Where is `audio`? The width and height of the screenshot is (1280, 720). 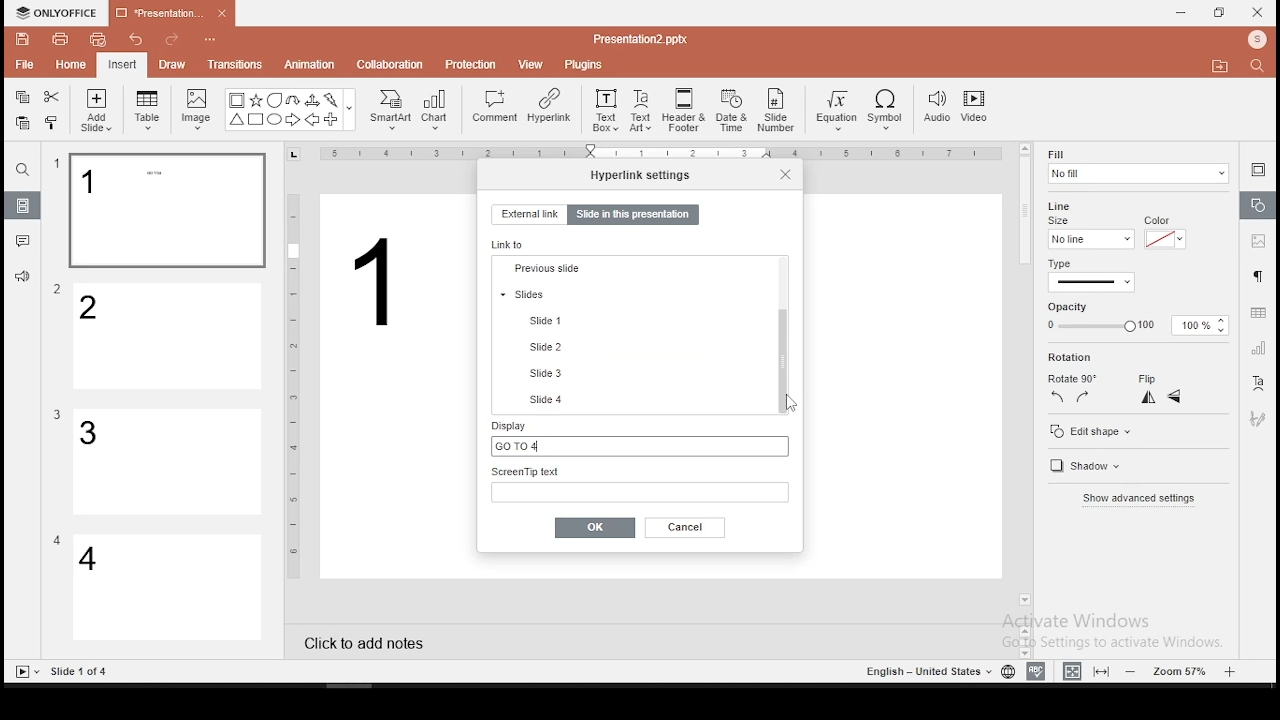
audio is located at coordinates (937, 108).